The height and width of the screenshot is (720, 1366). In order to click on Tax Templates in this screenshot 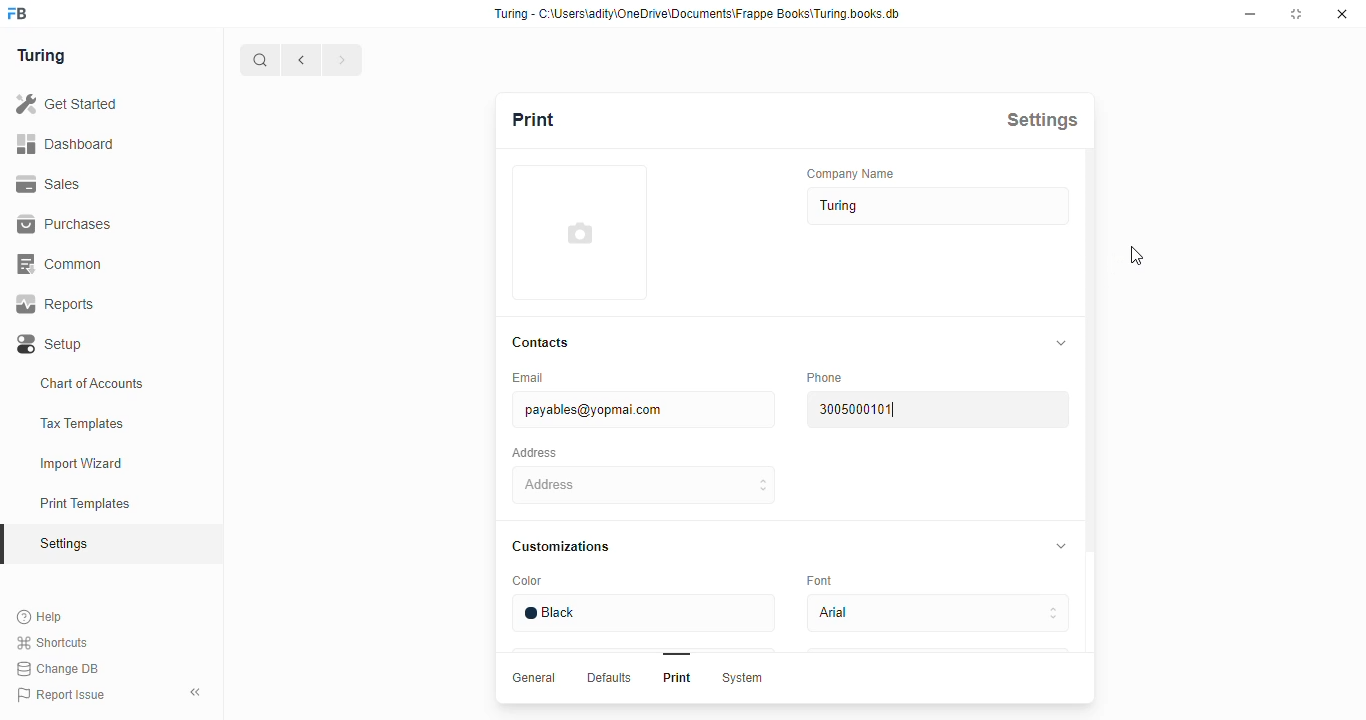, I will do `click(92, 421)`.